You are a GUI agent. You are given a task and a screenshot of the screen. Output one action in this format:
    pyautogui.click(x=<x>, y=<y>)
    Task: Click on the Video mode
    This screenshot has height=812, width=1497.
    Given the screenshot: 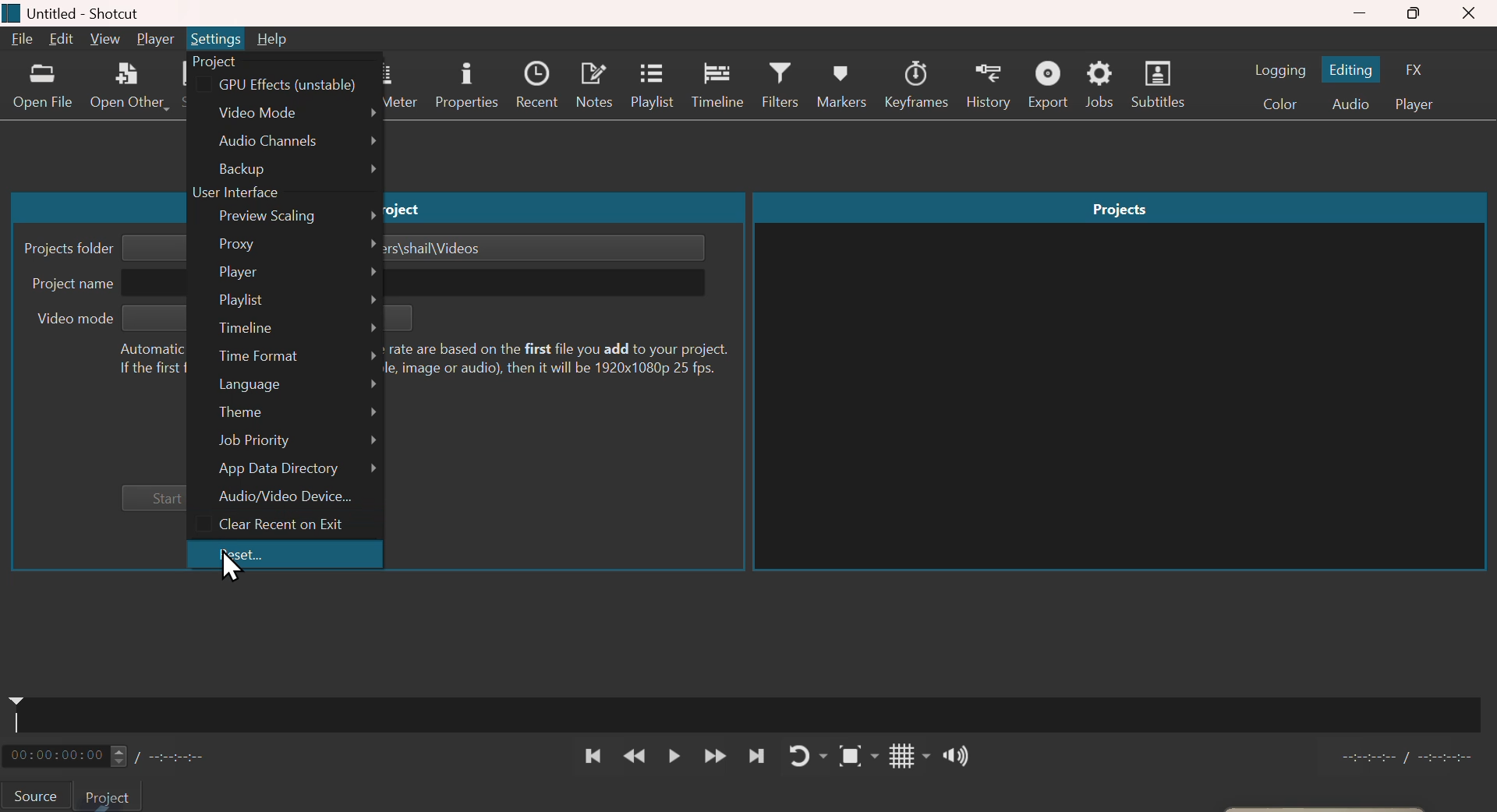 What is the action you would take?
    pyautogui.click(x=288, y=110)
    